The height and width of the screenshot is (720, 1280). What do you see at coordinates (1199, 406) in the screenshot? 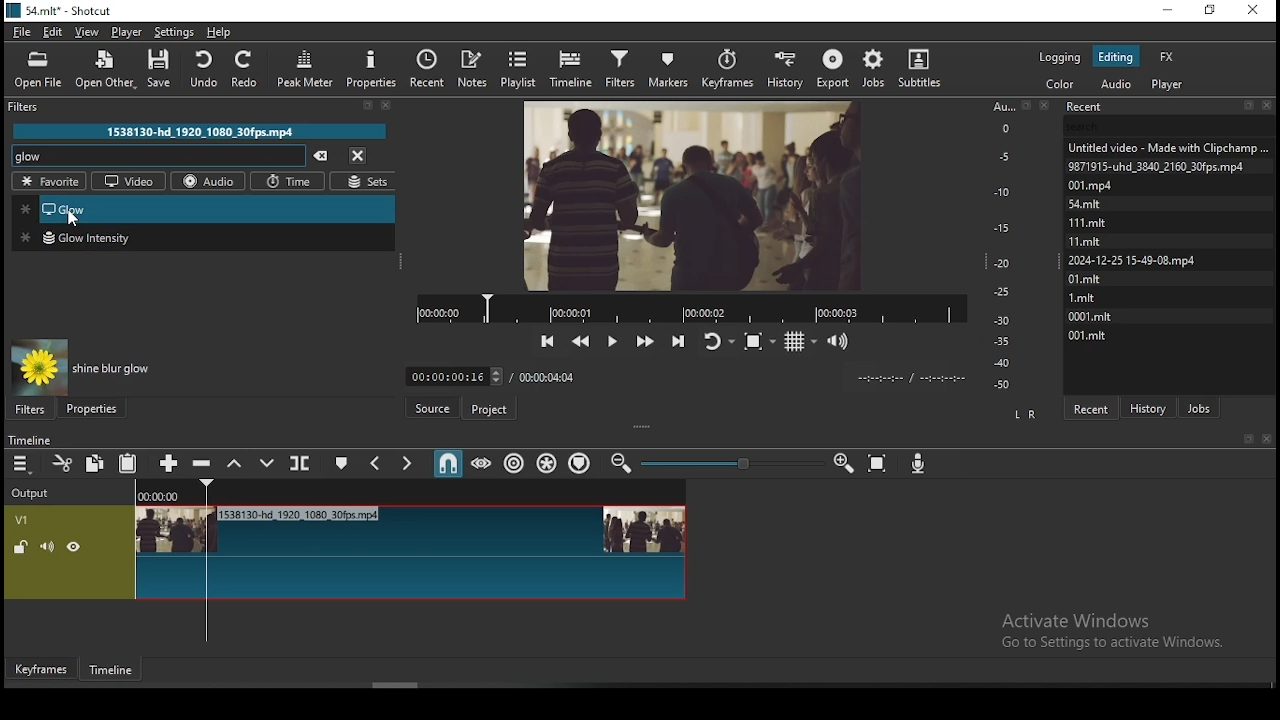
I see `jobs` at bounding box center [1199, 406].